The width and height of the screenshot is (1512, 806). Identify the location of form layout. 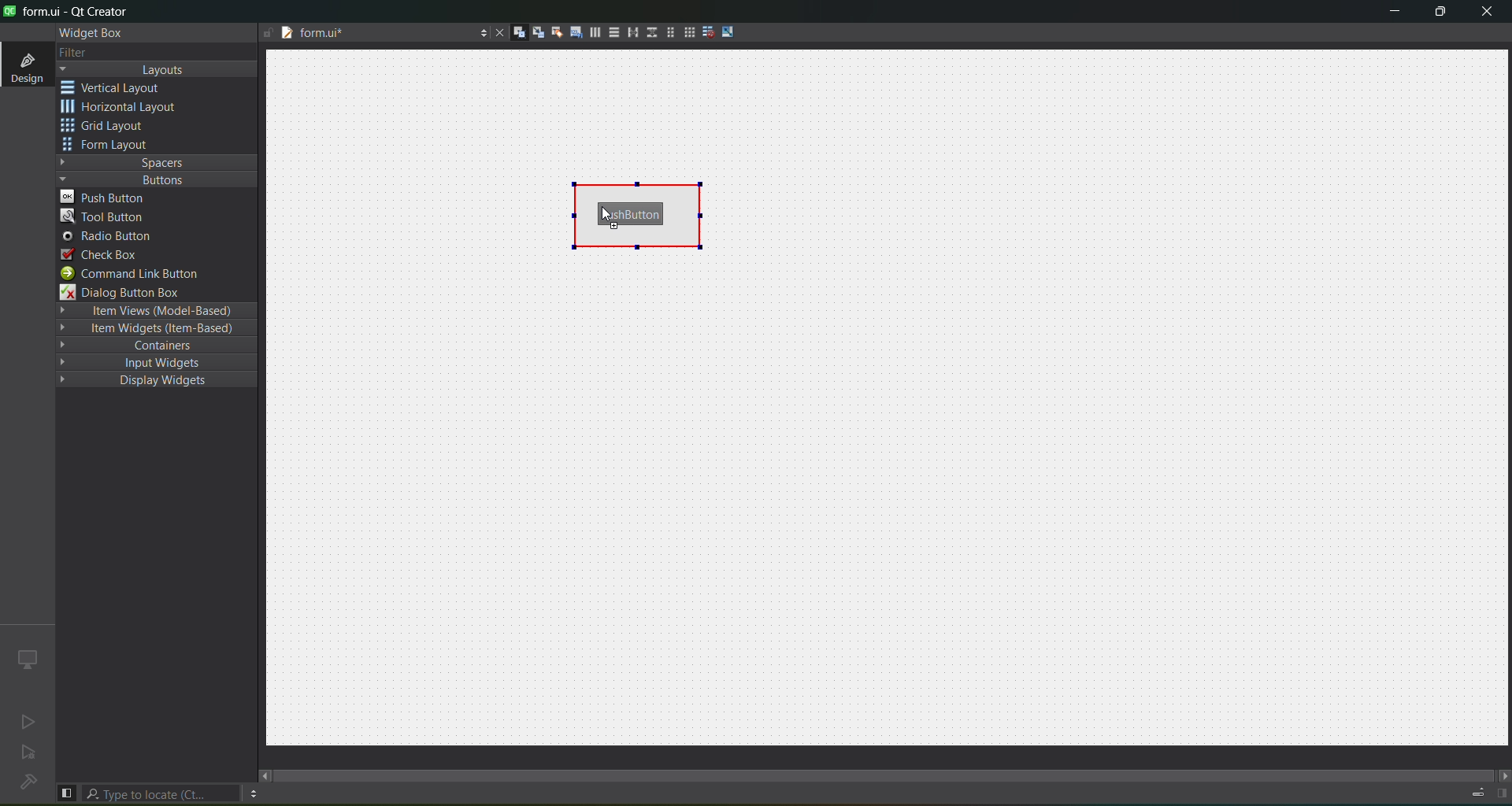
(667, 32).